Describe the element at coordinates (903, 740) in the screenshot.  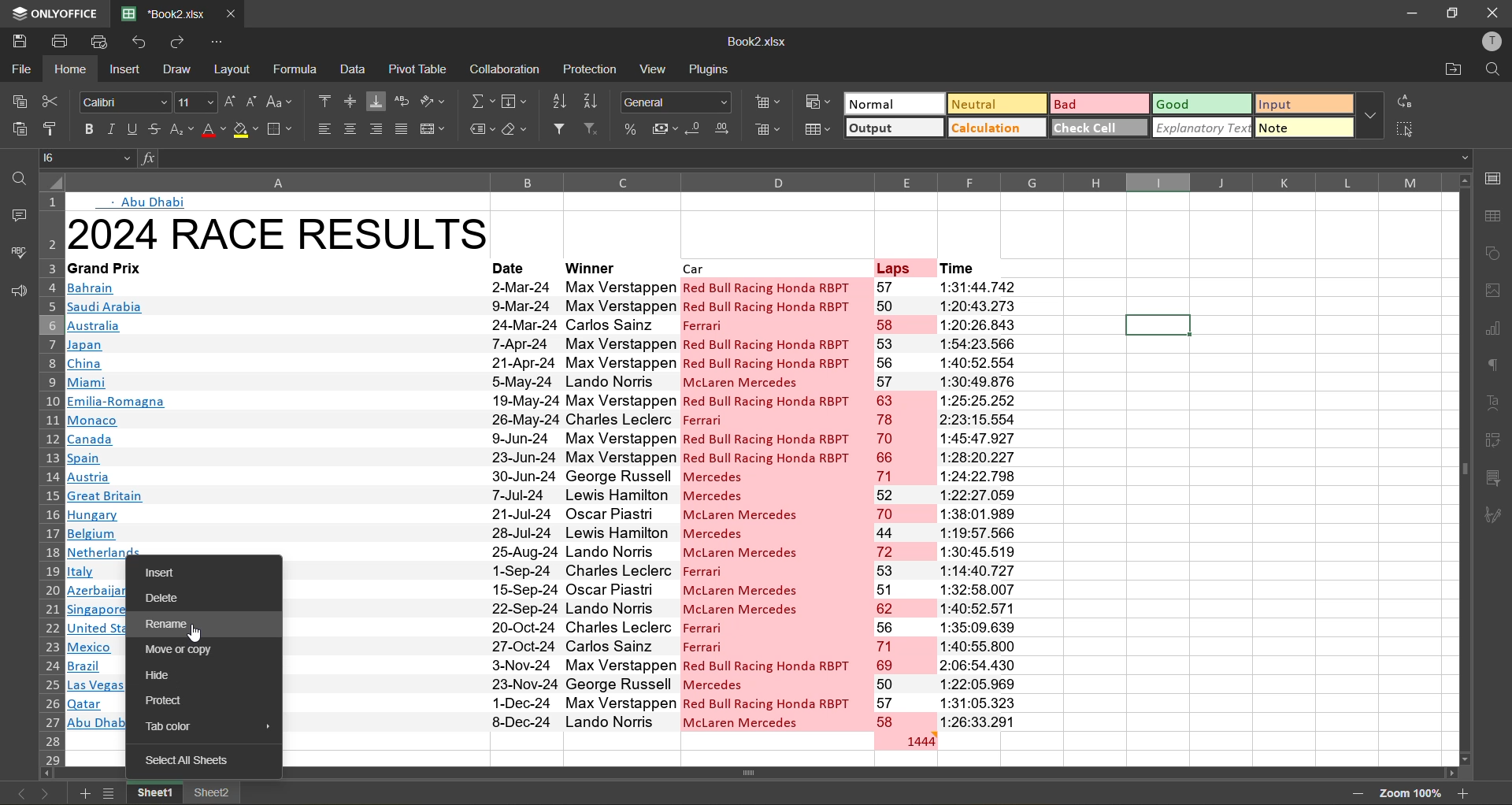
I see `total` at that location.